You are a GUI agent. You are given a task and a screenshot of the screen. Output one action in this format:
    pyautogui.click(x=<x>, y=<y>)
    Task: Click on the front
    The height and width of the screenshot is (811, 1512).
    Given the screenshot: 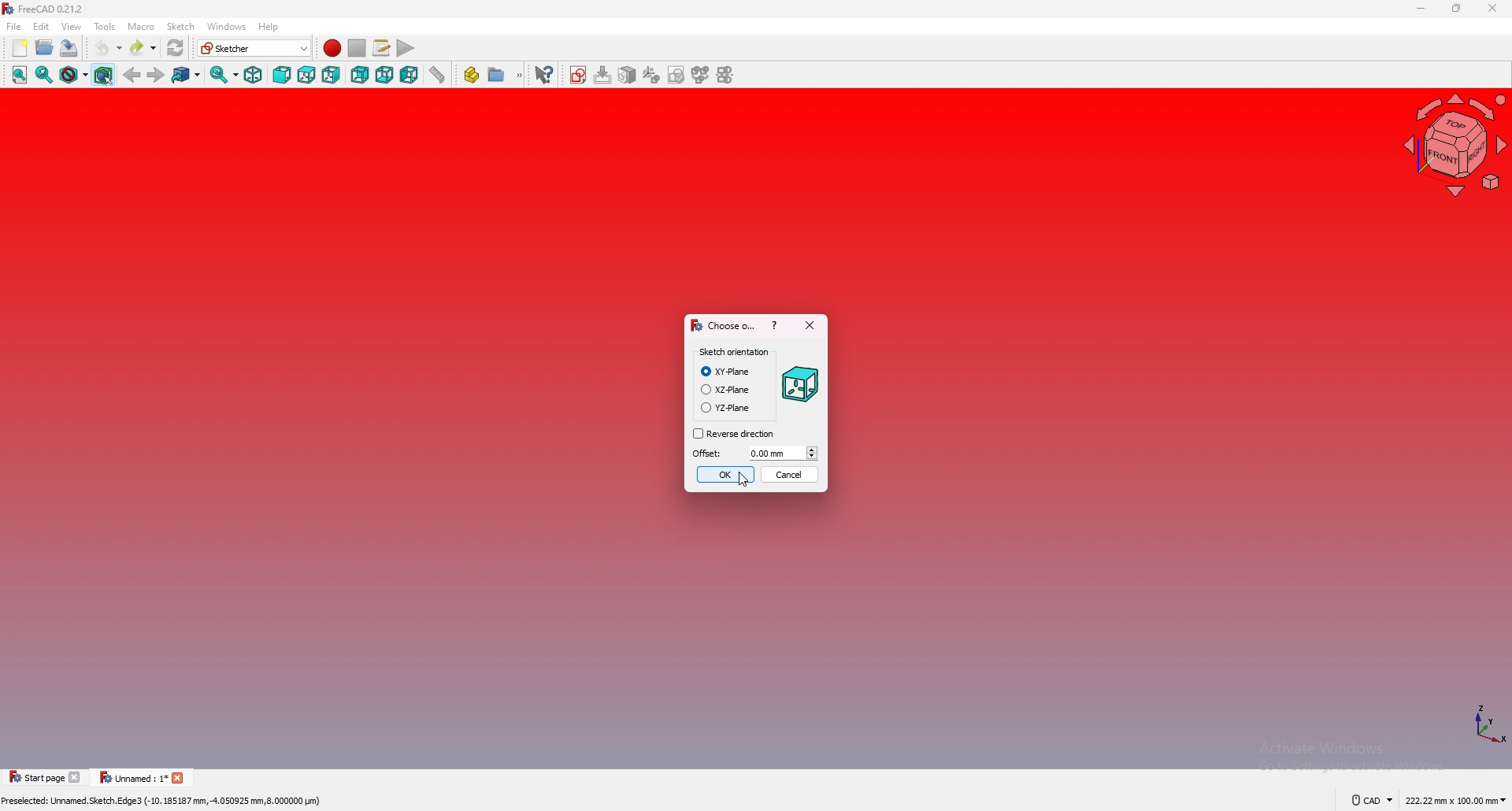 What is the action you would take?
    pyautogui.click(x=282, y=75)
    